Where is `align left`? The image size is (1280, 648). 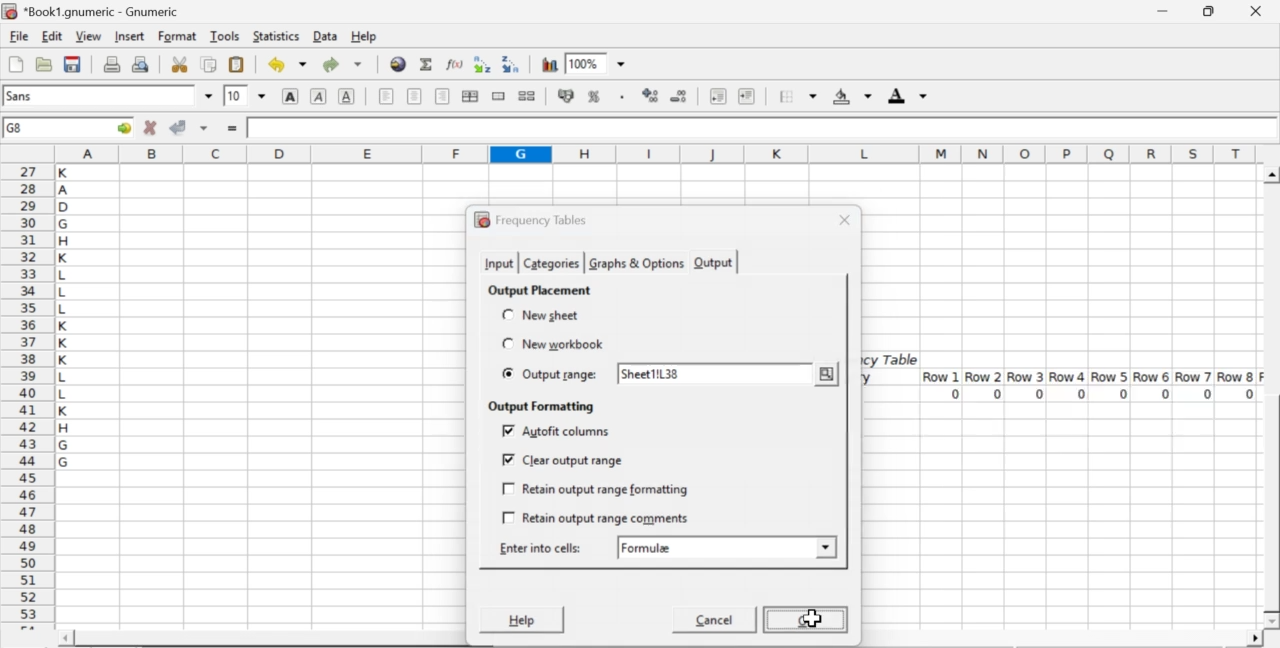
align left is located at coordinates (386, 94).